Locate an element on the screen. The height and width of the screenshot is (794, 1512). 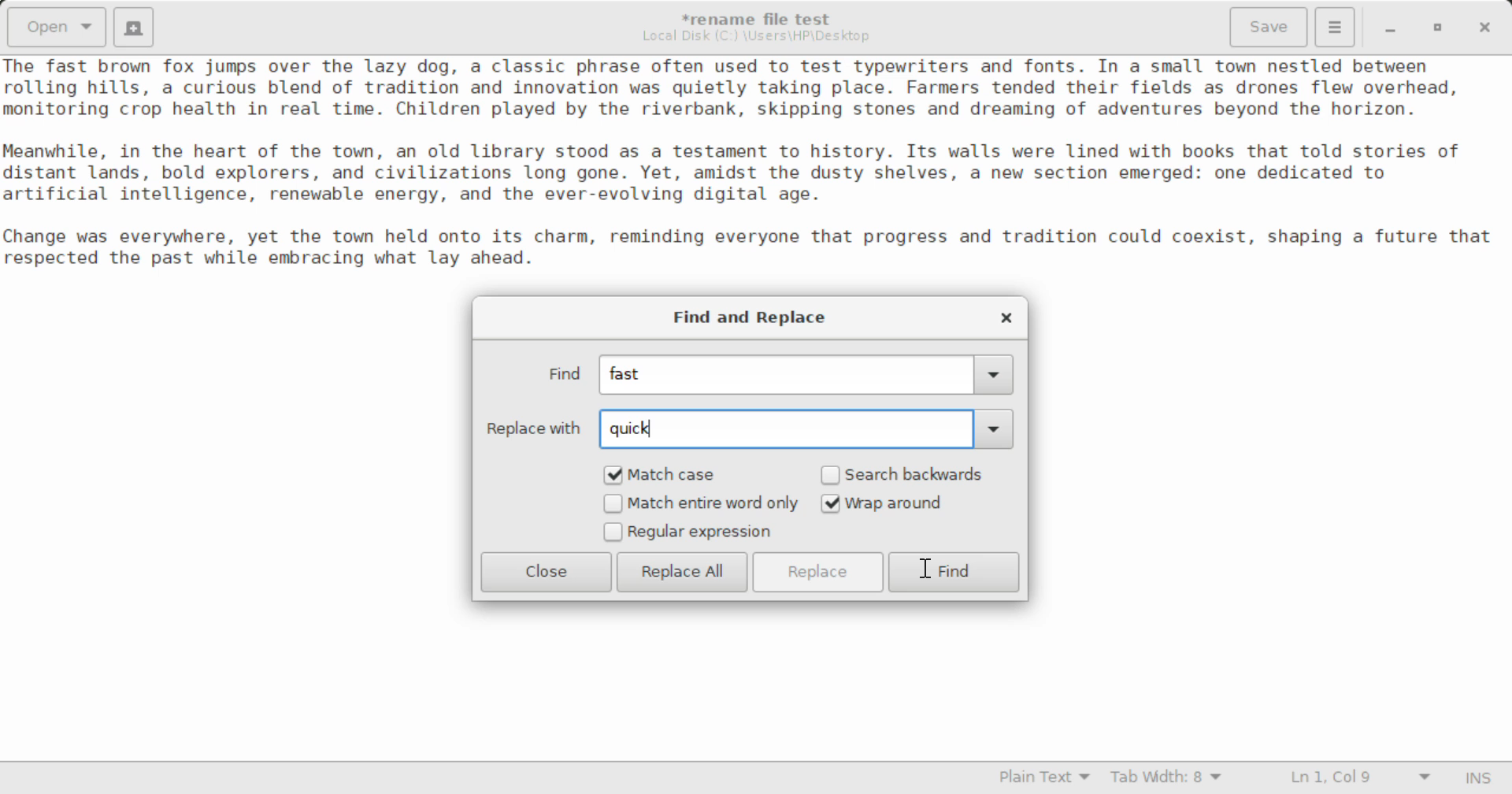
File Location is located at coordinates (760, 38).